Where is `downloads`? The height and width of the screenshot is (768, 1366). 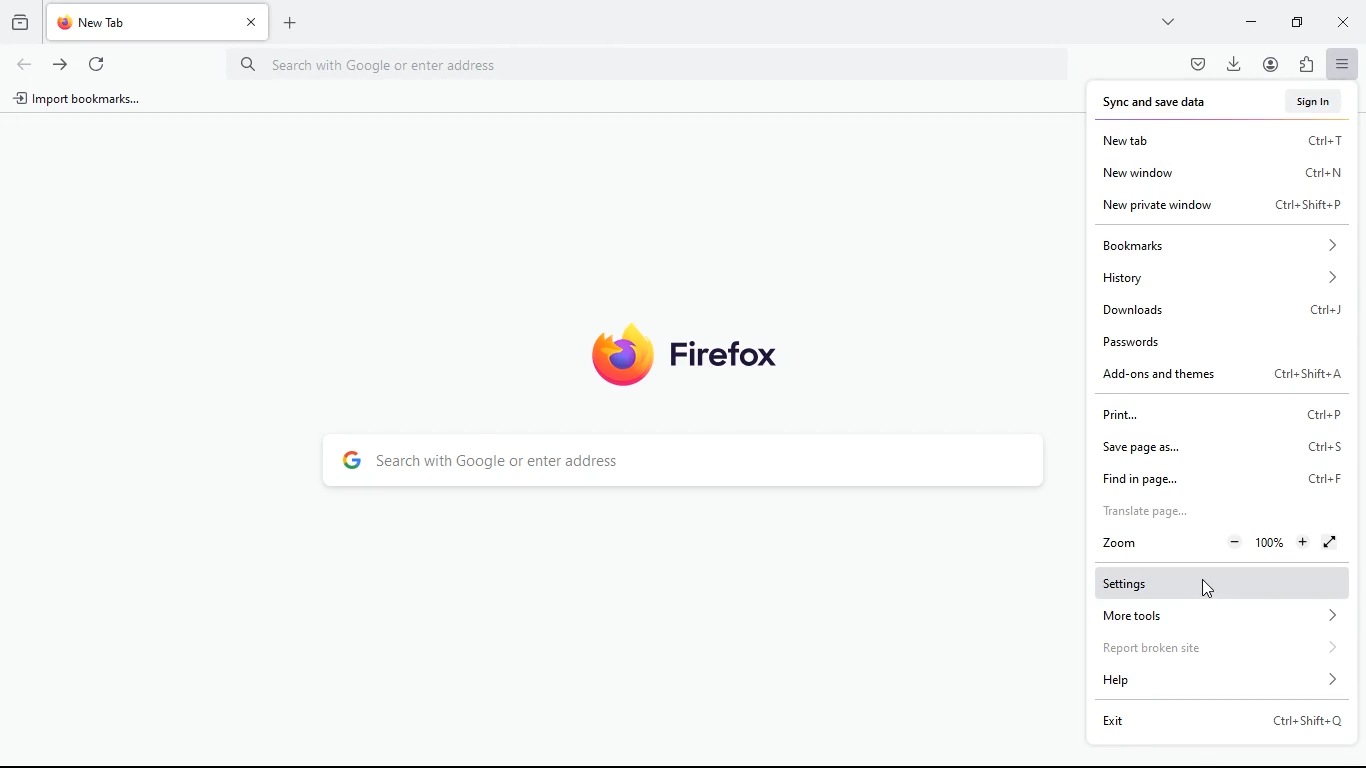 downloads is located at coordinates (1223, 312).